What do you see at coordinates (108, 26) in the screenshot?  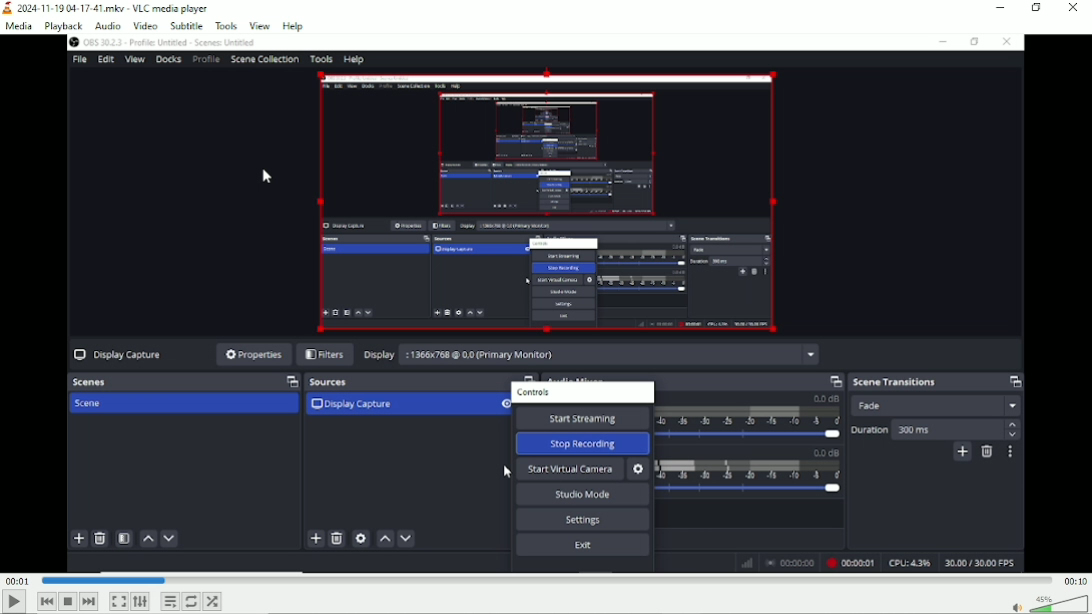 I see `audio` at bounding box center [108, 26].